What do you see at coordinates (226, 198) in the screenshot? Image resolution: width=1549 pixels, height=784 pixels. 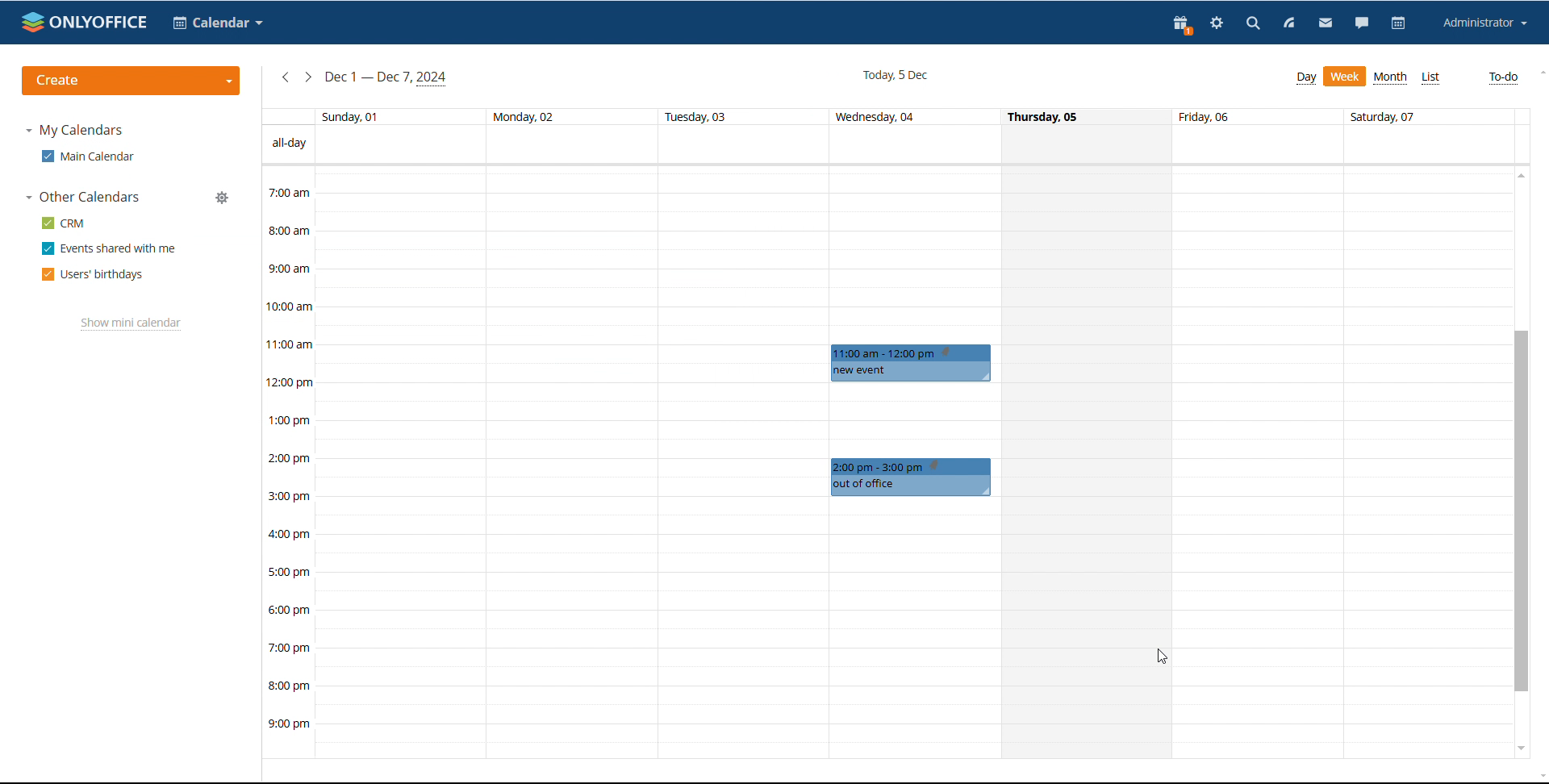 I see `manage` at bounding box center [226, 198].